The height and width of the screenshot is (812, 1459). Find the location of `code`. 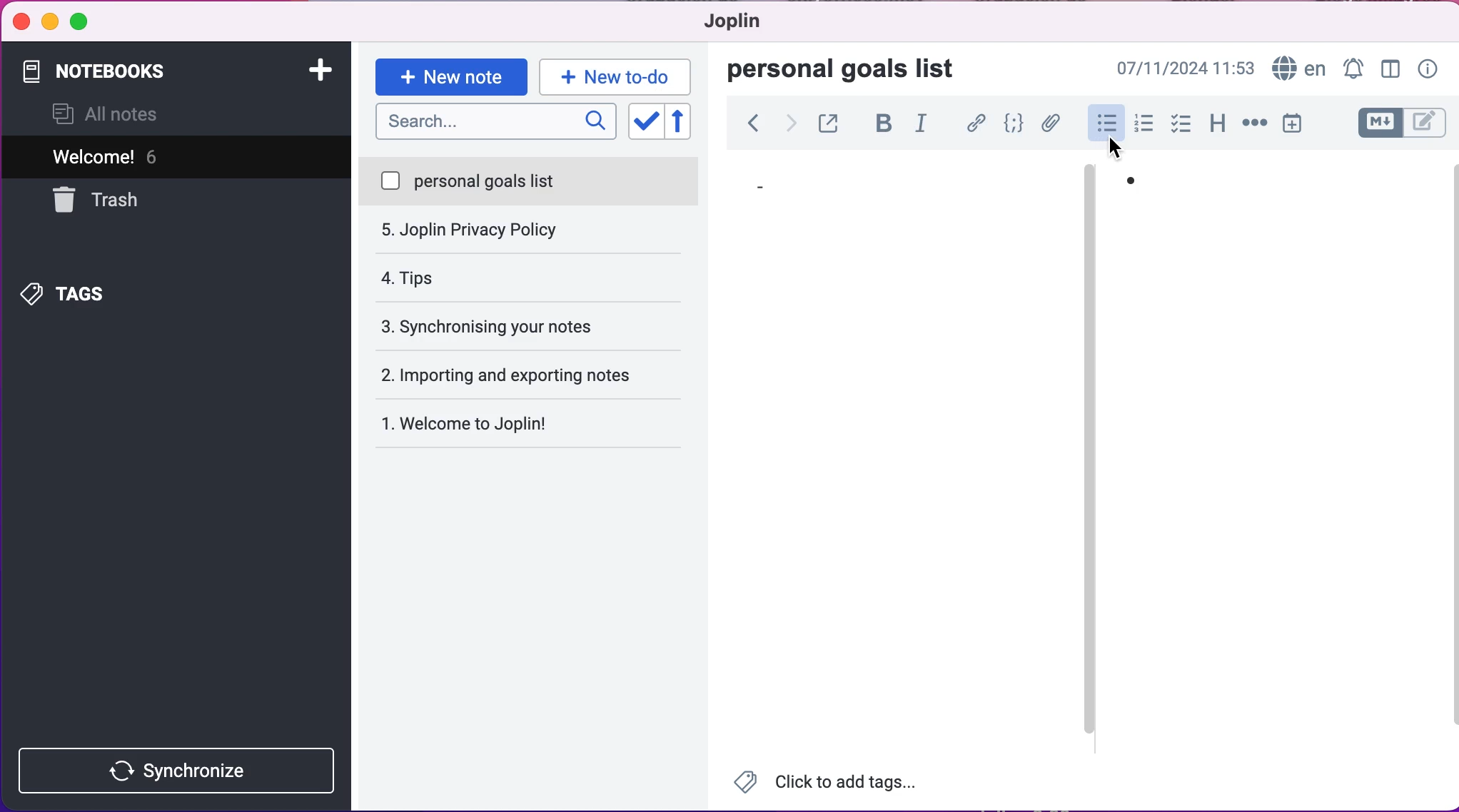

code is located at coordinates (1011, 124).